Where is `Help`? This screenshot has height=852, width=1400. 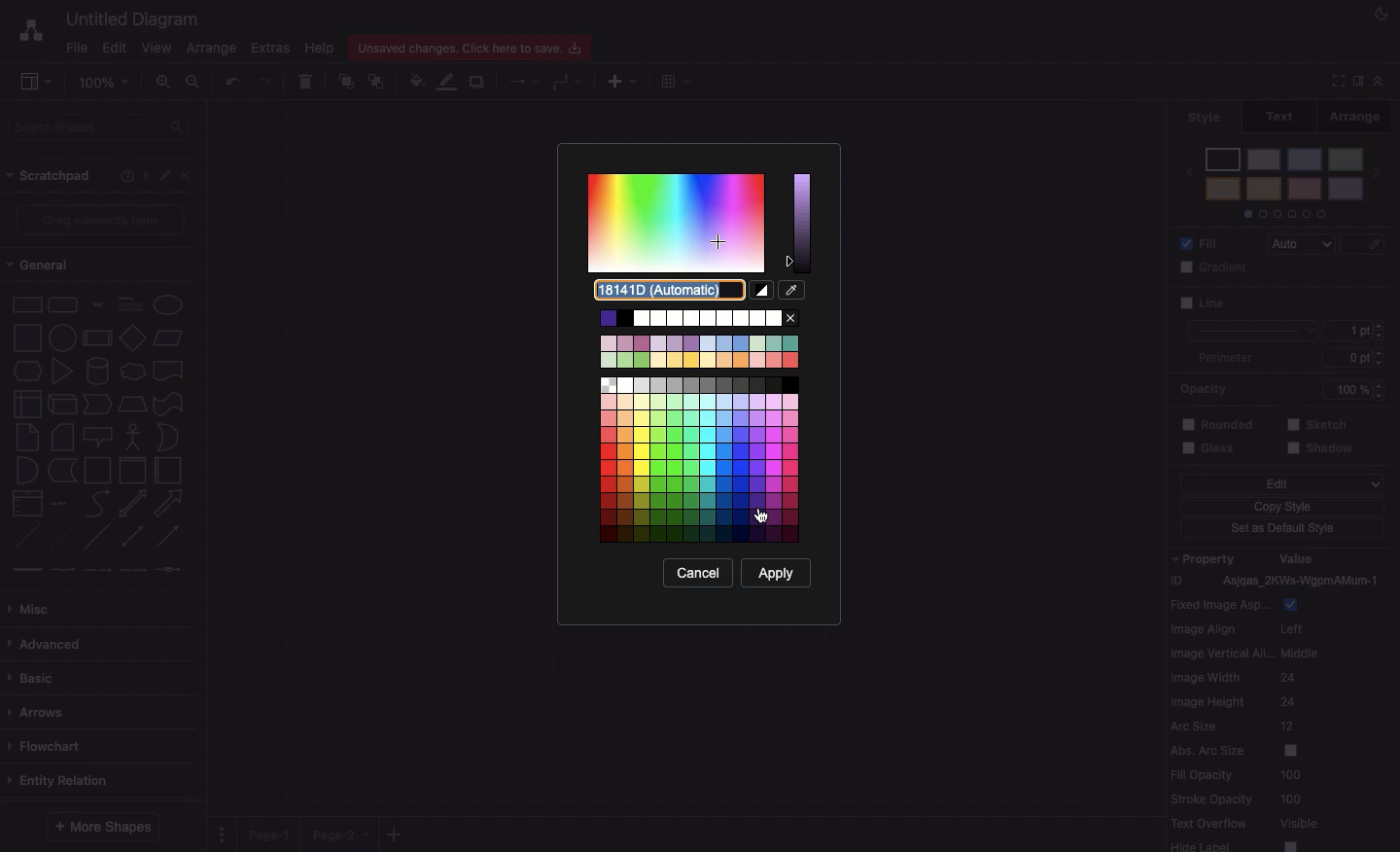 Help is located at coordinates (320, 48).